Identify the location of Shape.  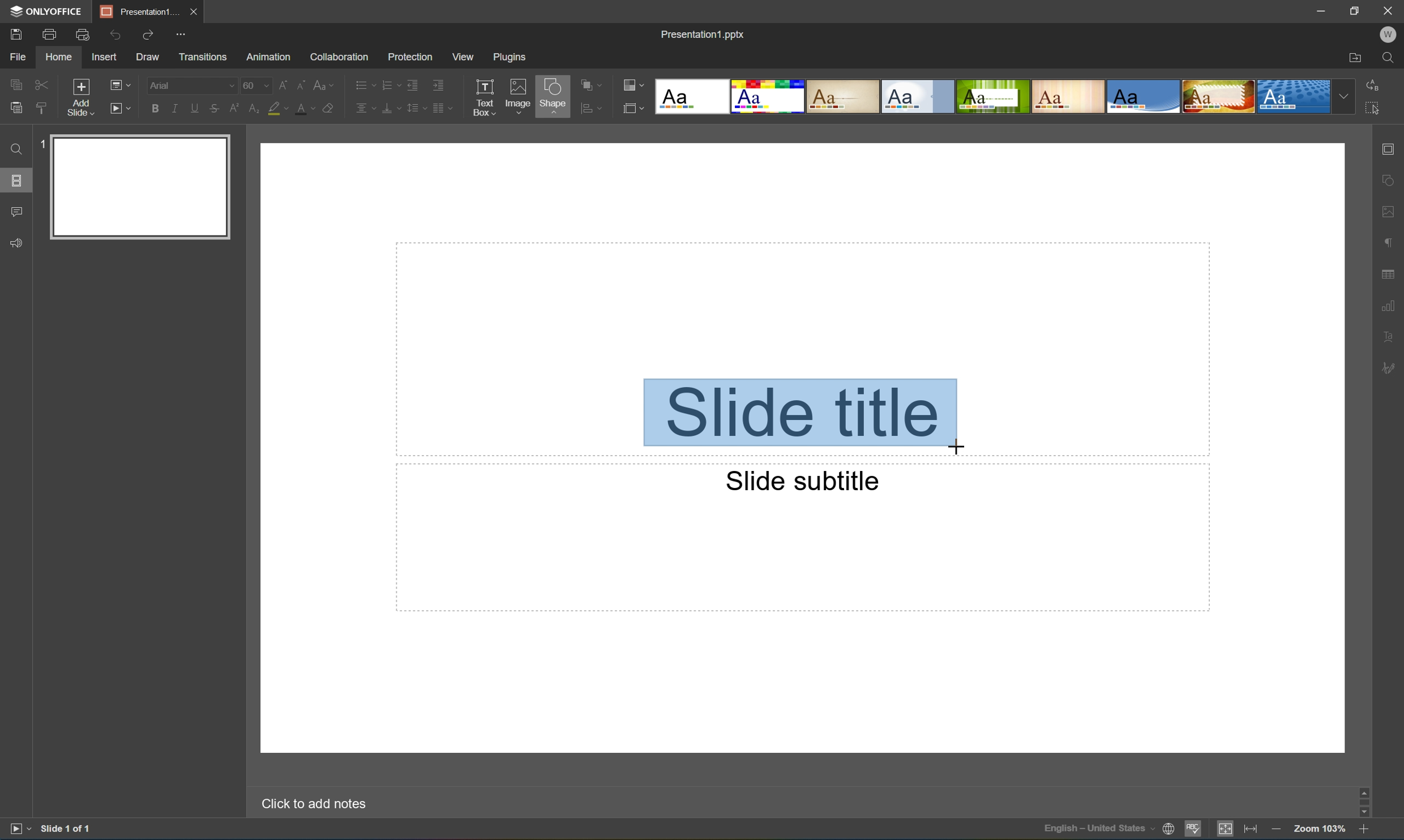
(551, 97).